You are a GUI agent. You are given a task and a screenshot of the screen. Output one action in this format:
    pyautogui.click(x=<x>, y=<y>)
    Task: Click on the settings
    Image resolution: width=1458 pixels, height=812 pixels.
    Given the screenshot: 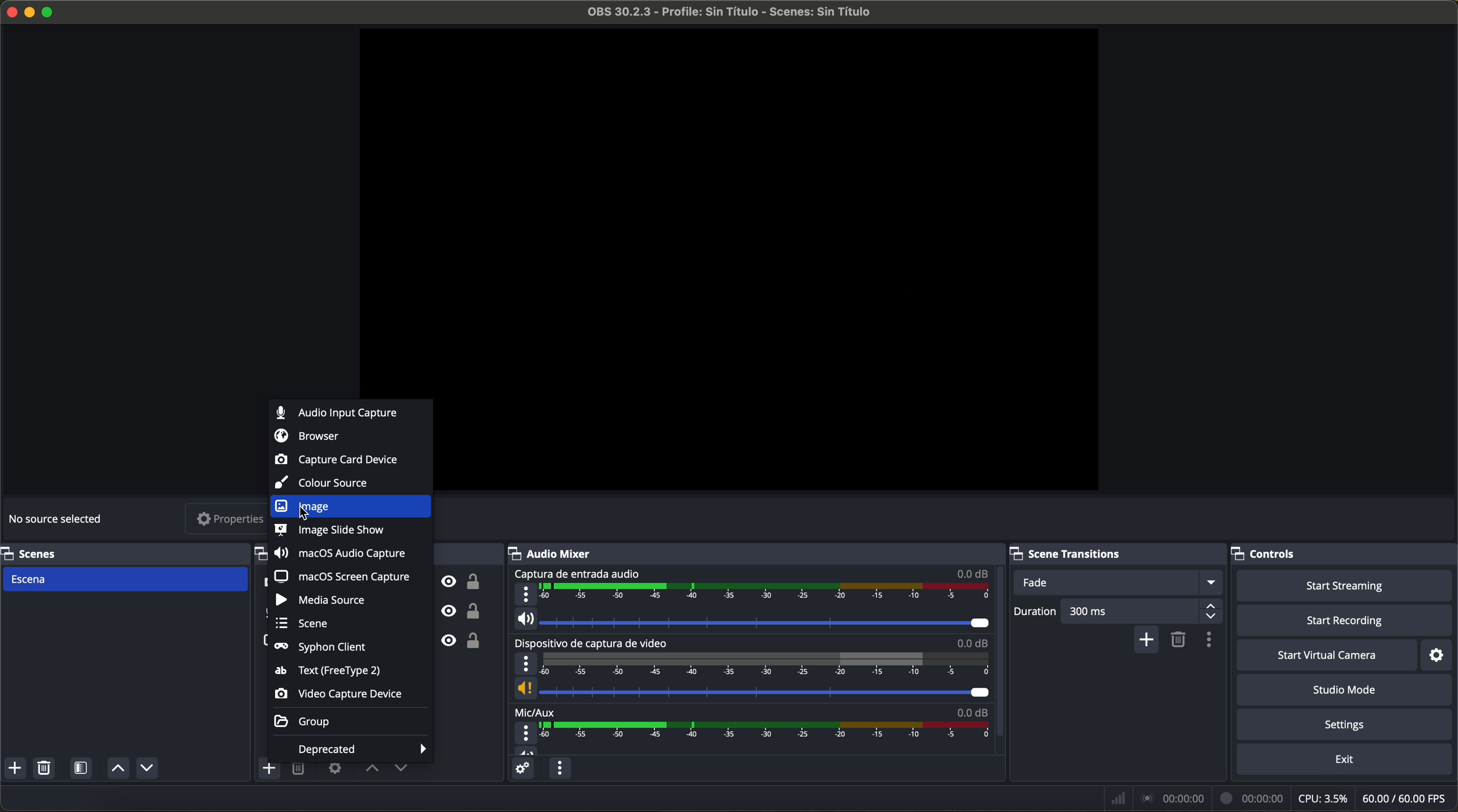 What is the action you would take?
    pyautogui.click(x=1348, y=725)
    